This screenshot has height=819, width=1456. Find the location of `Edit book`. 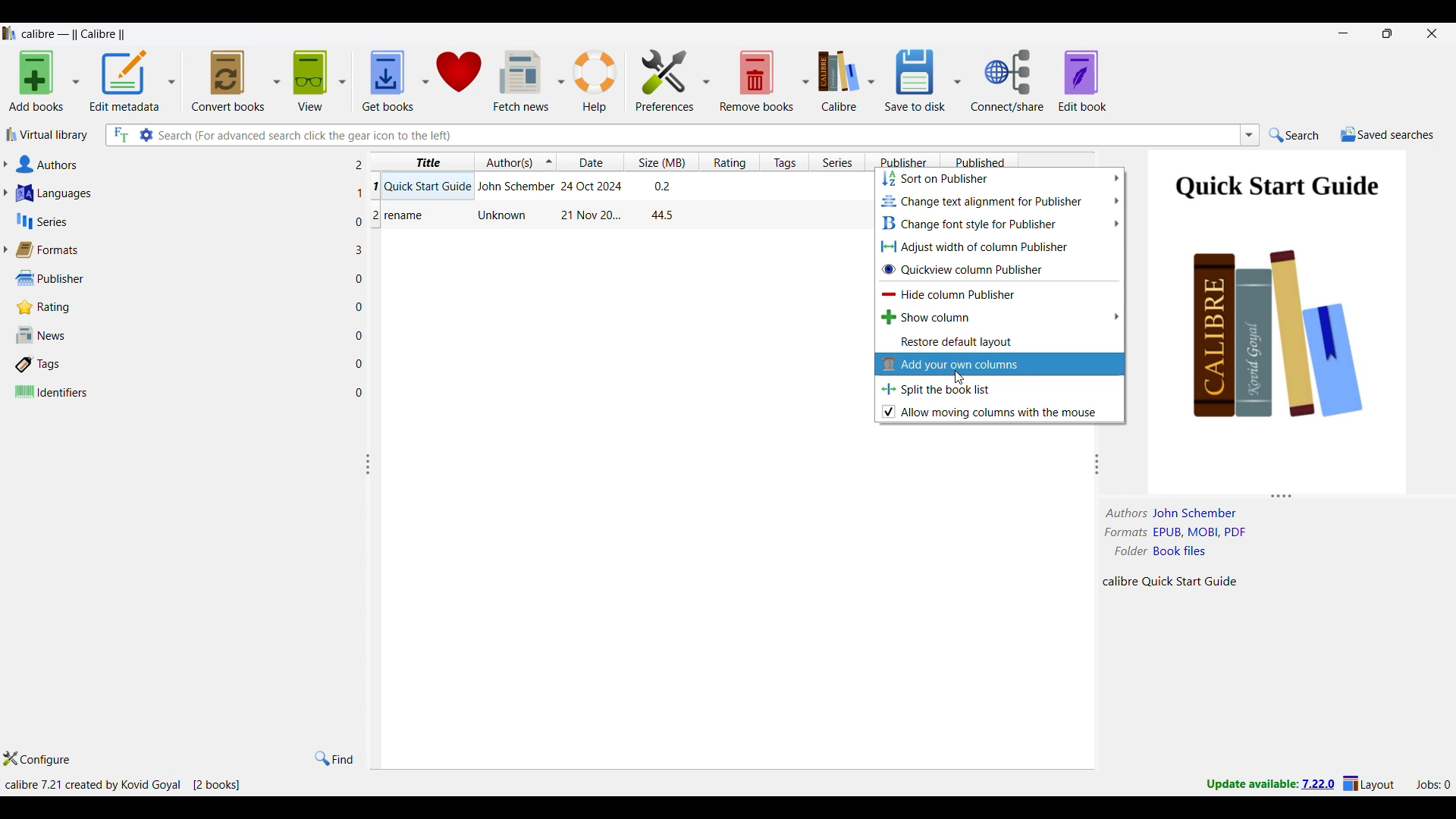

Edit book is located at coordinates (1082, 80).